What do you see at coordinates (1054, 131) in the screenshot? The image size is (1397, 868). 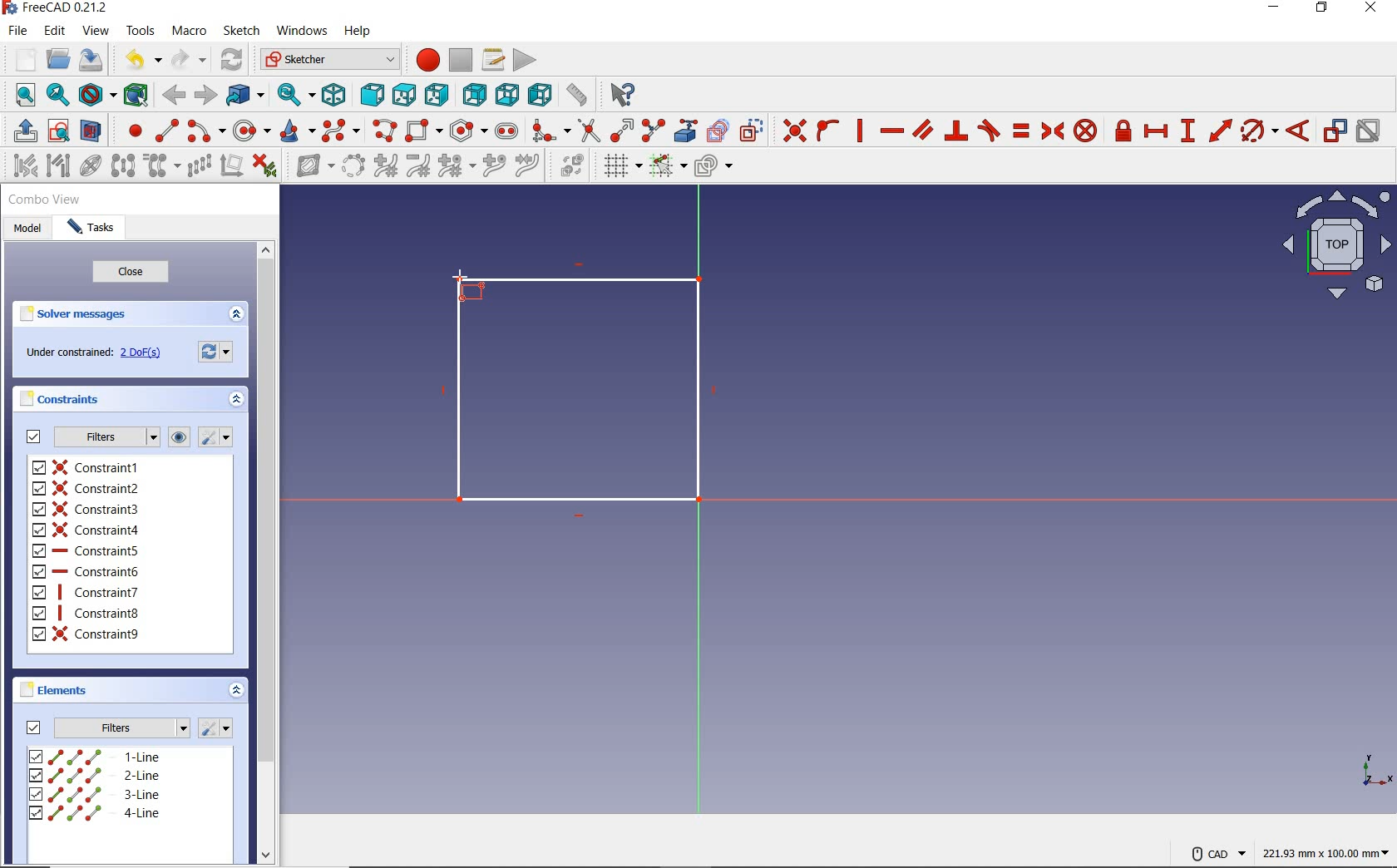 I see `constrain symmetrical` at bounding box center [1054, 131].